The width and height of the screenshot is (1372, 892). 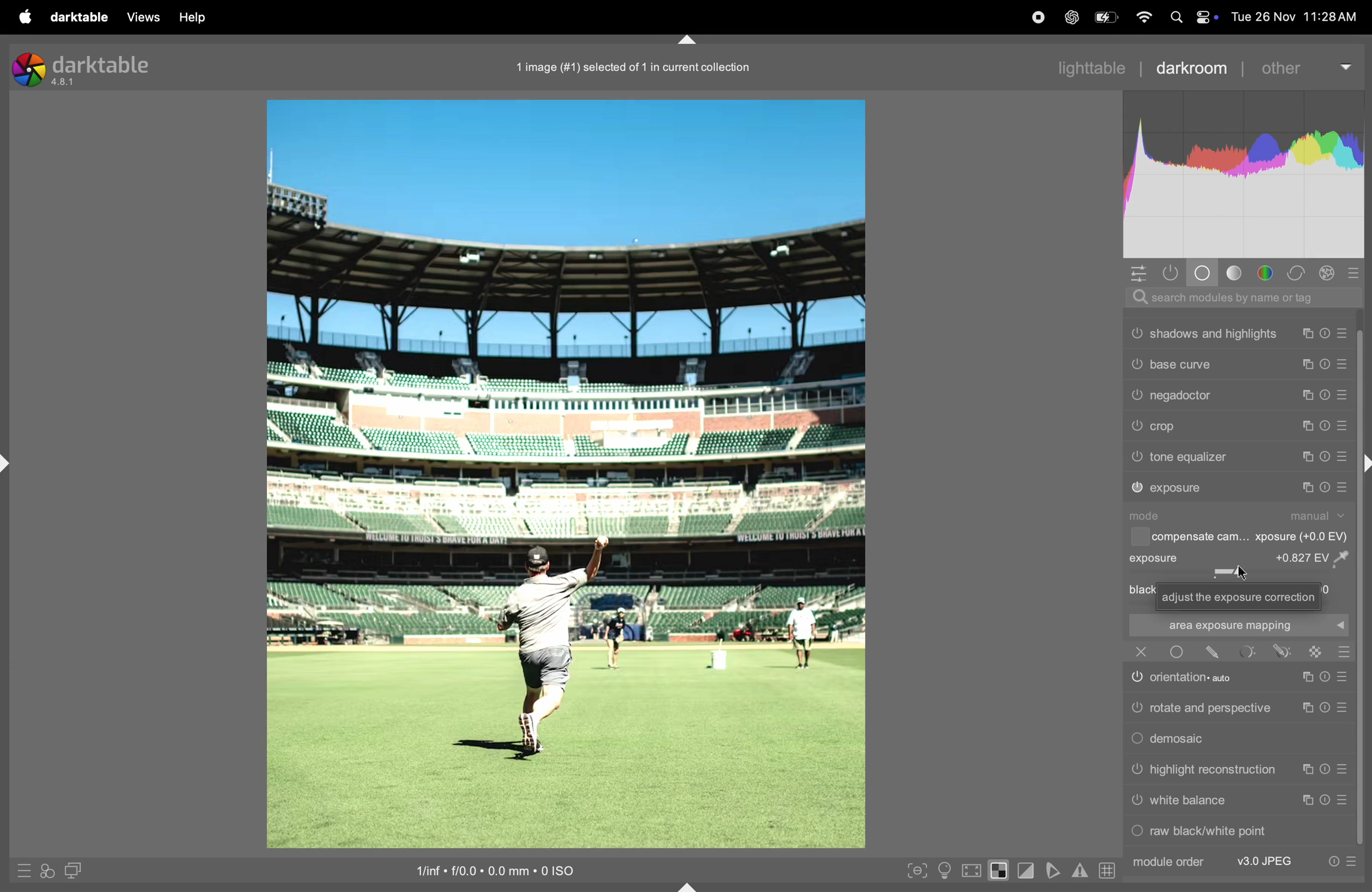 What do you see at coordinates (1181, 364) in the screenshot?
I see `base curve` at bounding box center [1181, 364].